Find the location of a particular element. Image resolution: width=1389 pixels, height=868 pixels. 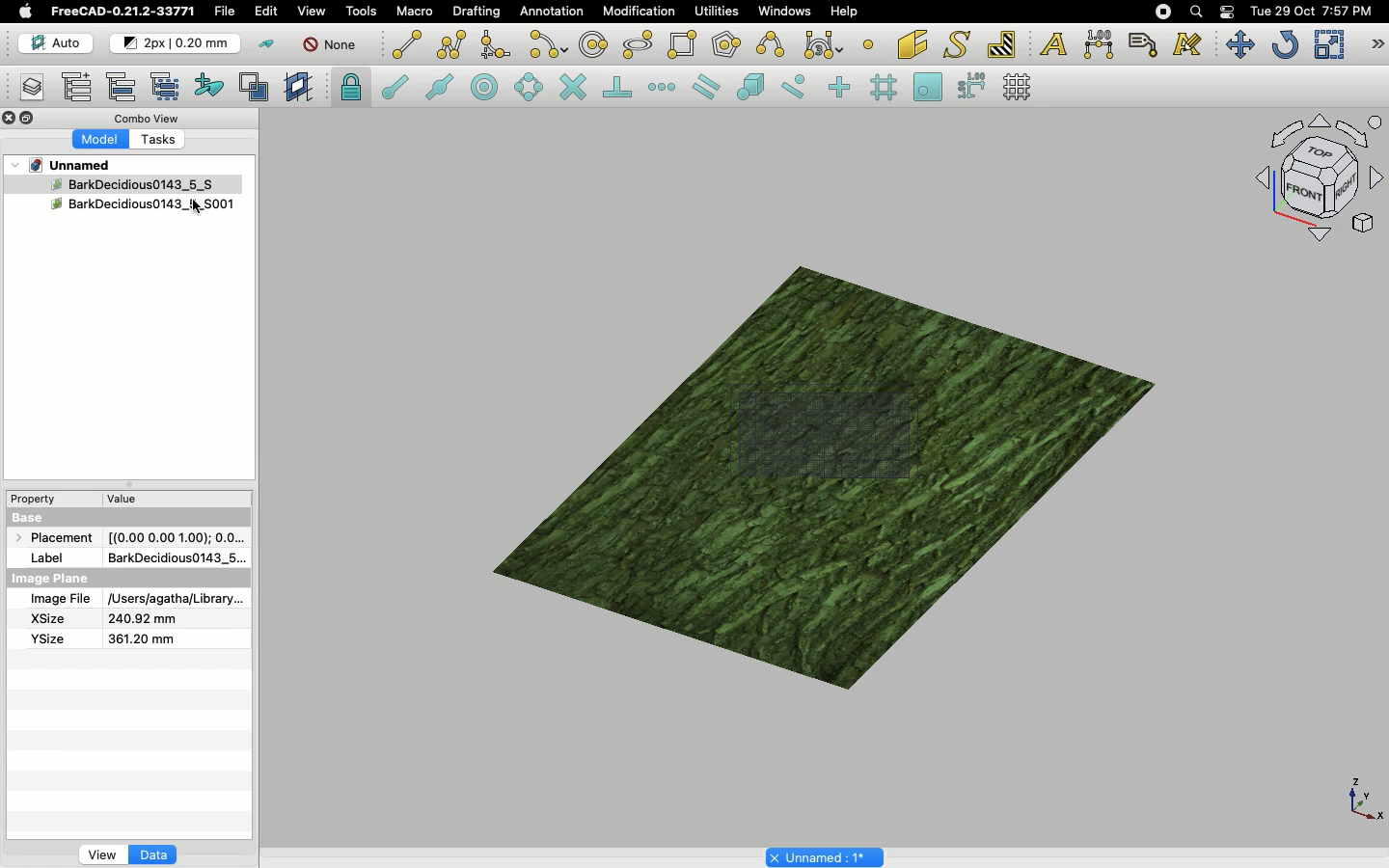

Toggle grid is located at coordinates (1019, 87).